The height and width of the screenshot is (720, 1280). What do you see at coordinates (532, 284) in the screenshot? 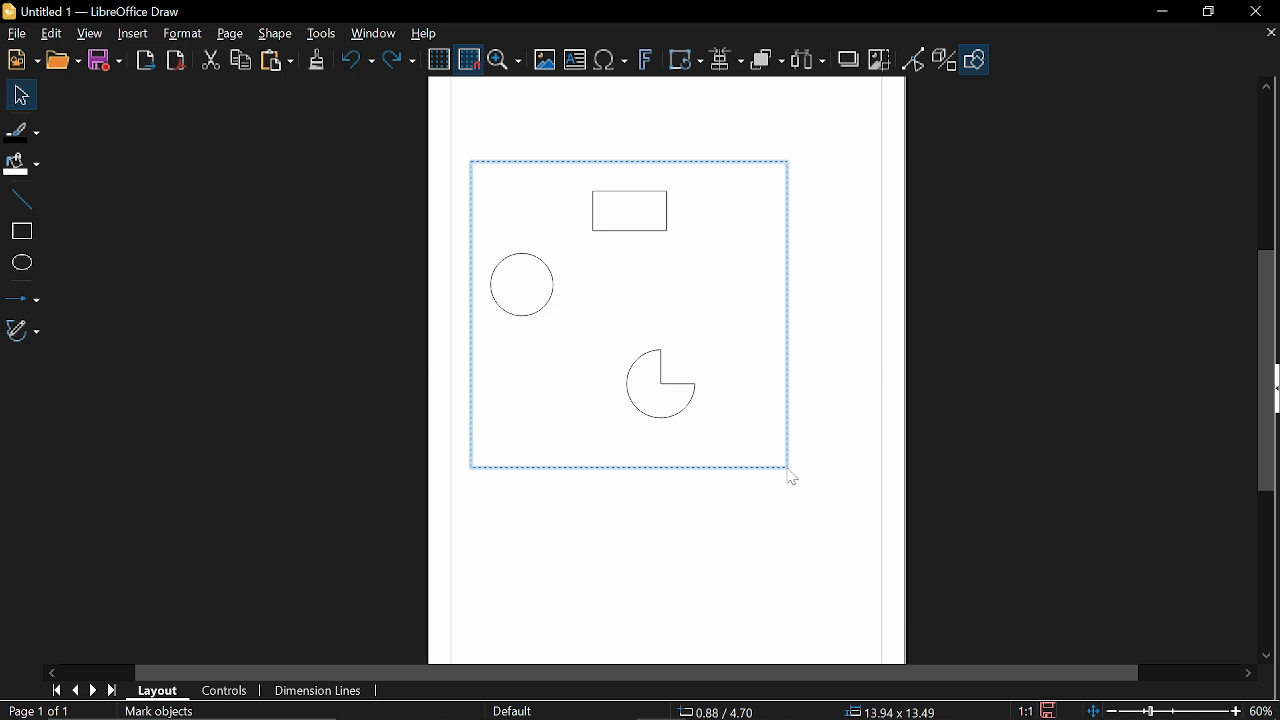
I see `Circle` at bounding box center [532, 284].